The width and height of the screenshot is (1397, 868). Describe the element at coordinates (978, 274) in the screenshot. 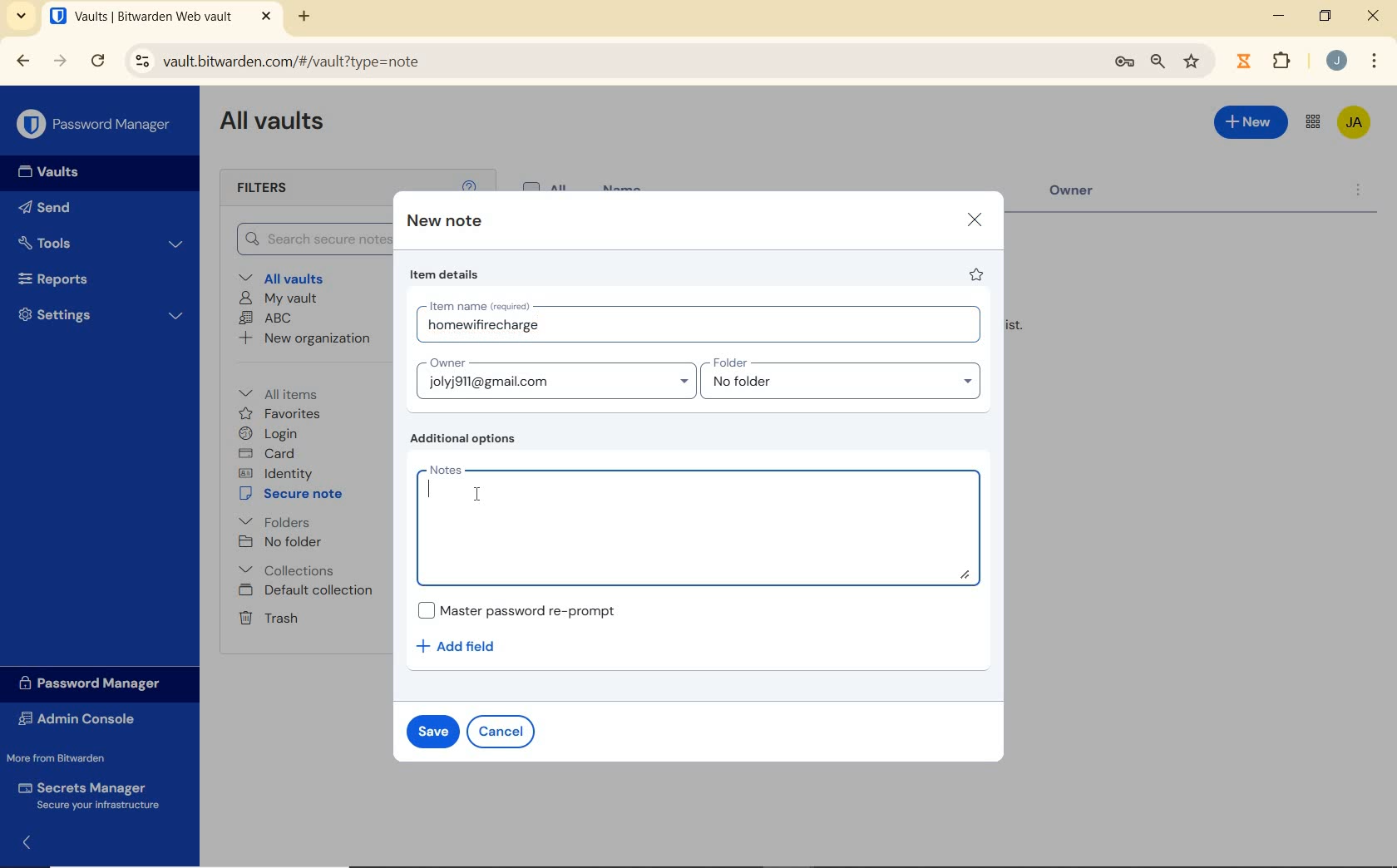

I see `favorite` at that location.